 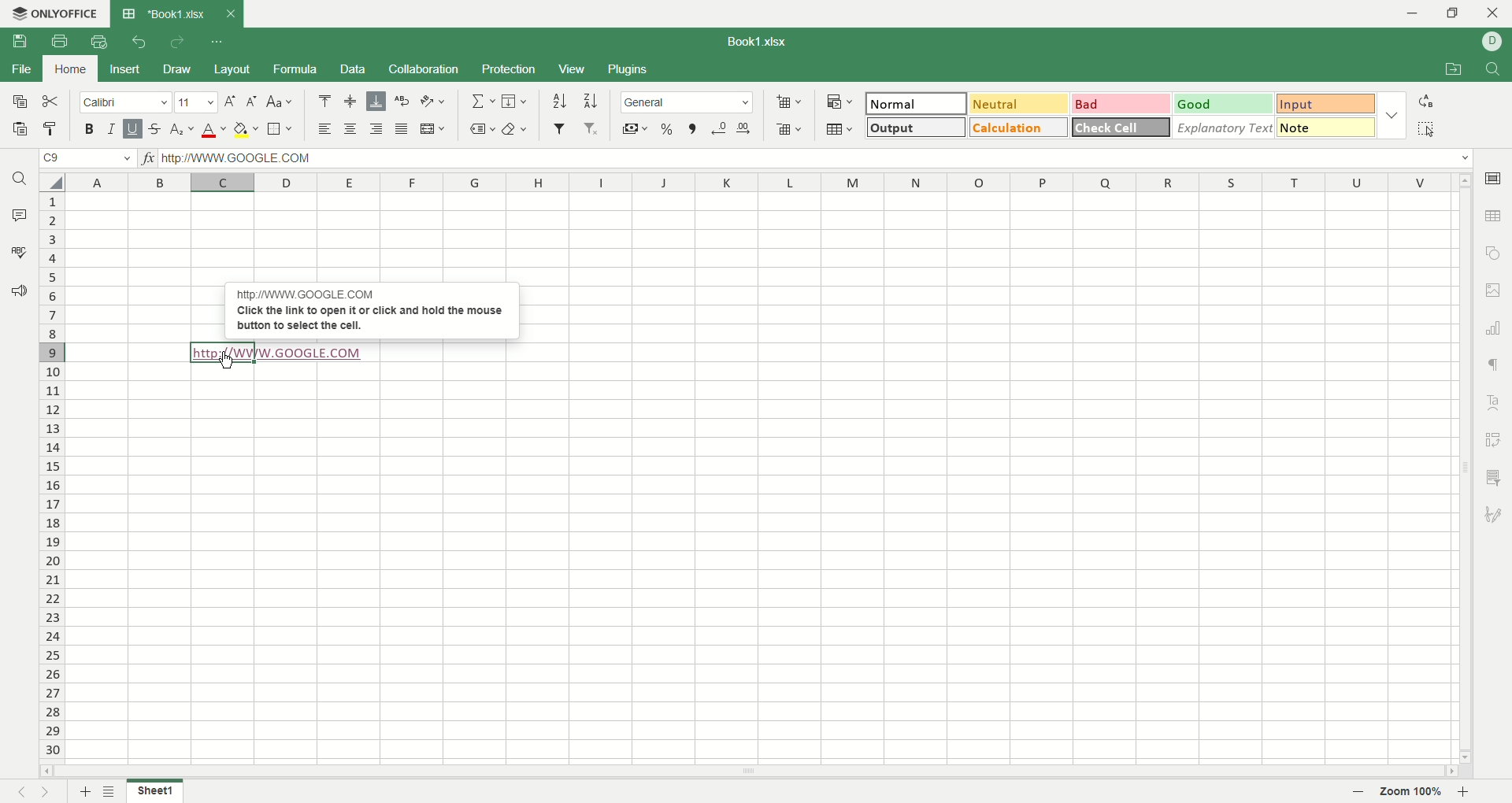 What do you see at coordinates (112, 128) in the screenshot?
I see `italic` at bounding box center [112, 128].